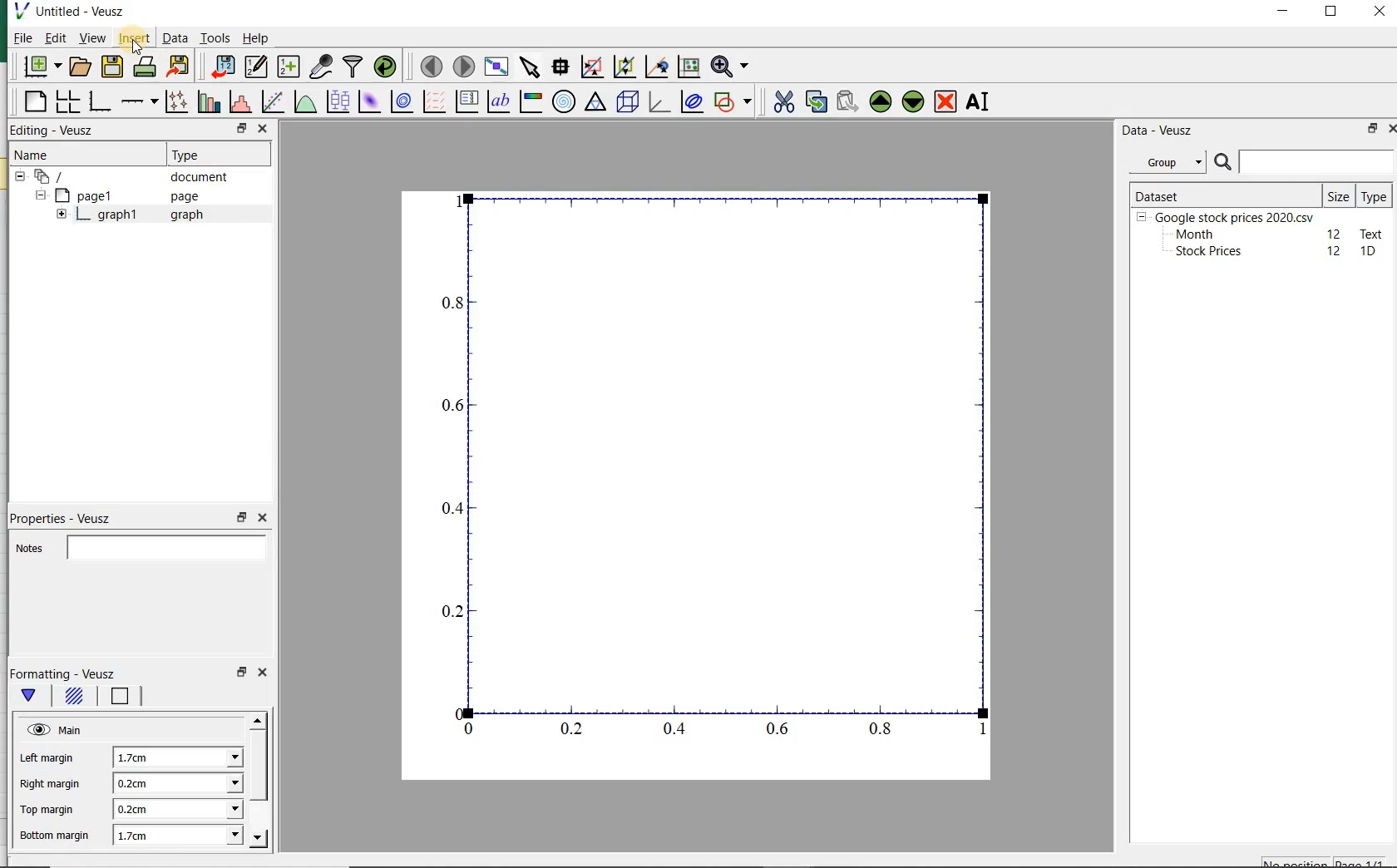 This screenshot has height=868, width=1397. I want to click on plot covariance ellipses, so click(692, 102).